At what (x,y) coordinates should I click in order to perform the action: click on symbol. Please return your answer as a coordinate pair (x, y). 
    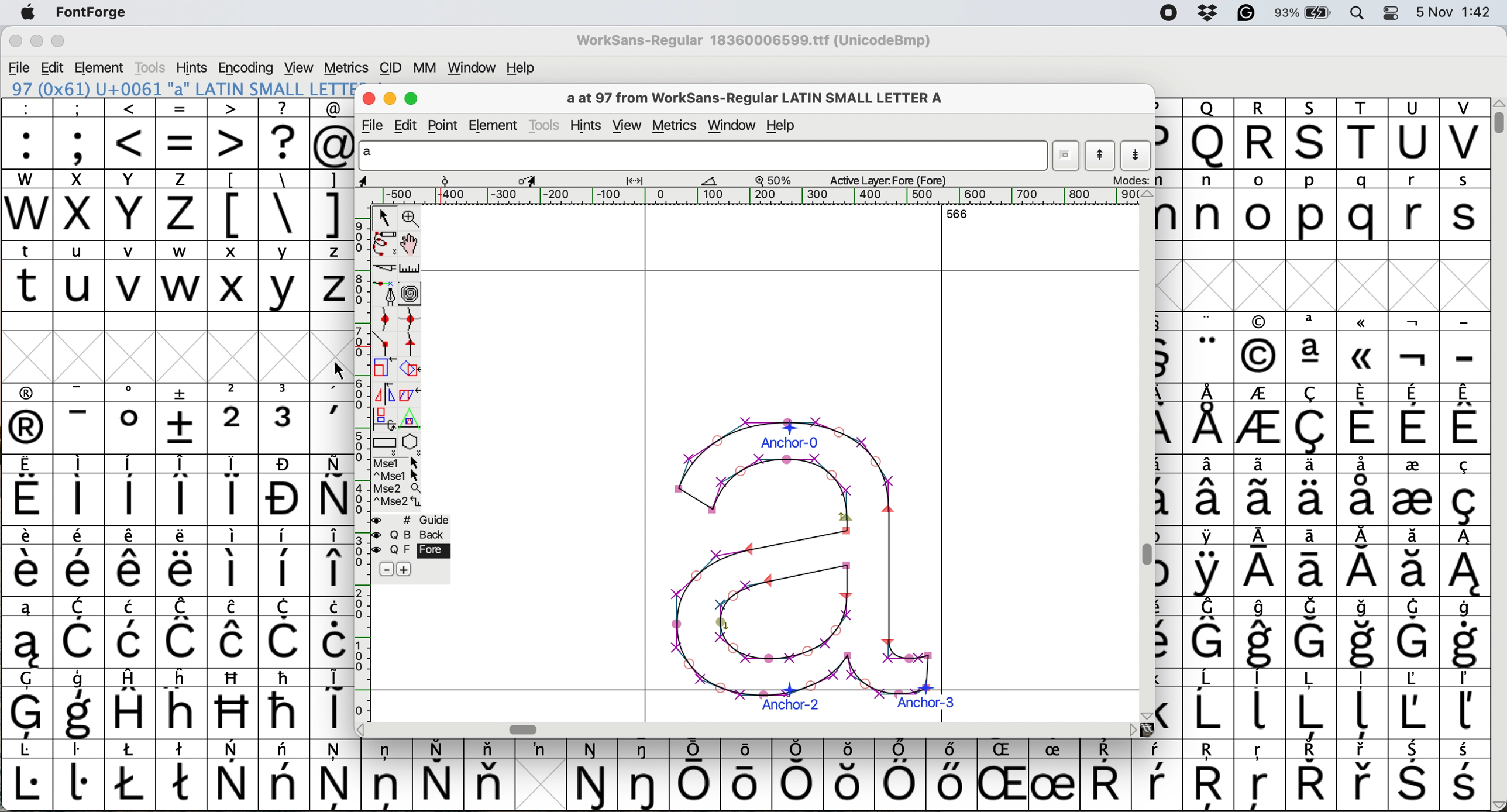
    Looking at the image, I should click on (1312, 633).